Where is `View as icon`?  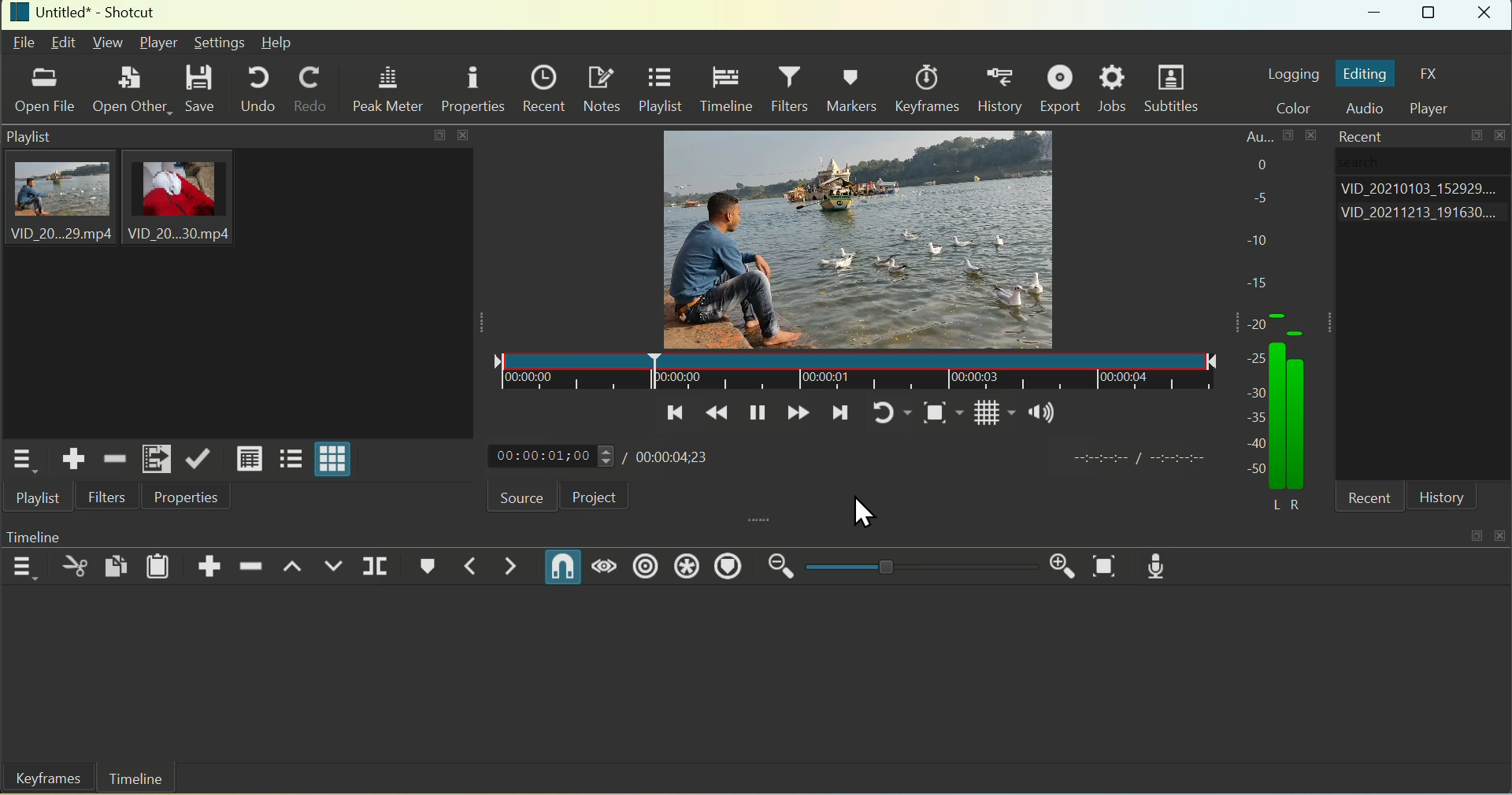 View as icon is located at coordinates (335, 461).